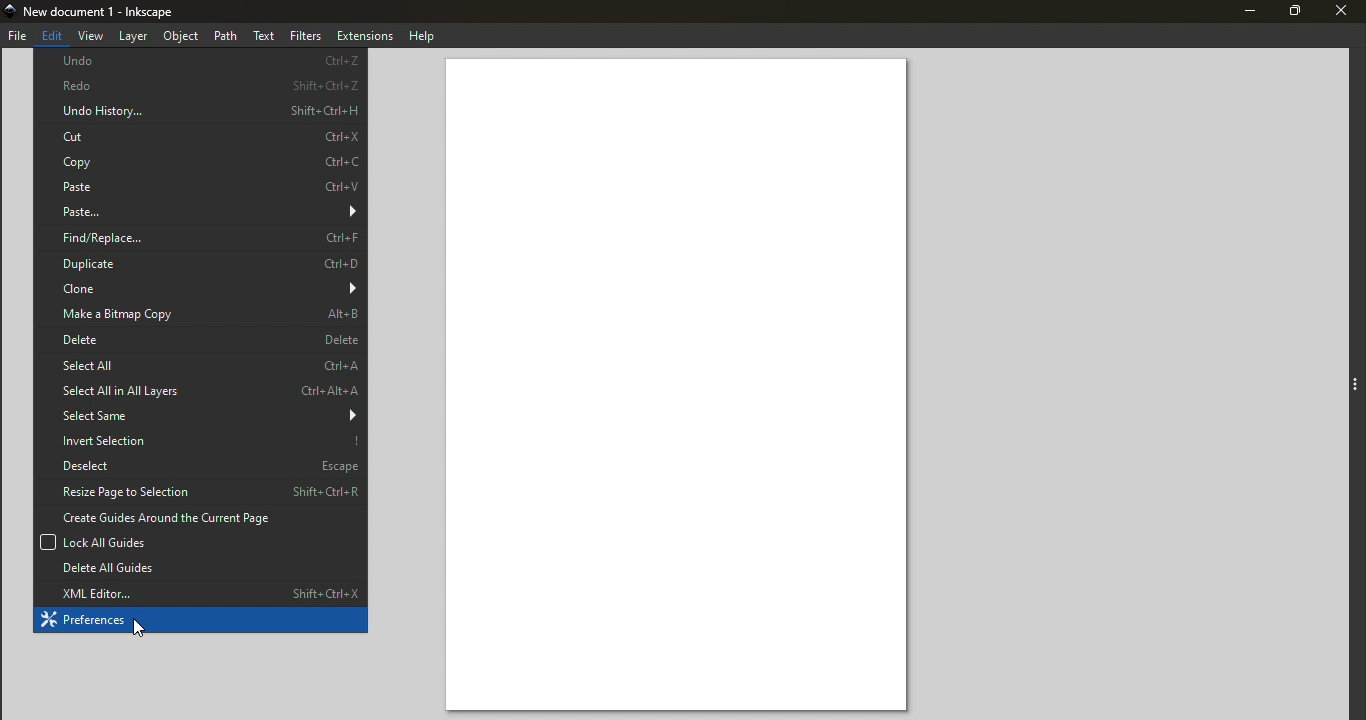  What do you see at coordinates (200, 593) in the screenshot?
I see `XML editor` at bounding box center [200, 593].